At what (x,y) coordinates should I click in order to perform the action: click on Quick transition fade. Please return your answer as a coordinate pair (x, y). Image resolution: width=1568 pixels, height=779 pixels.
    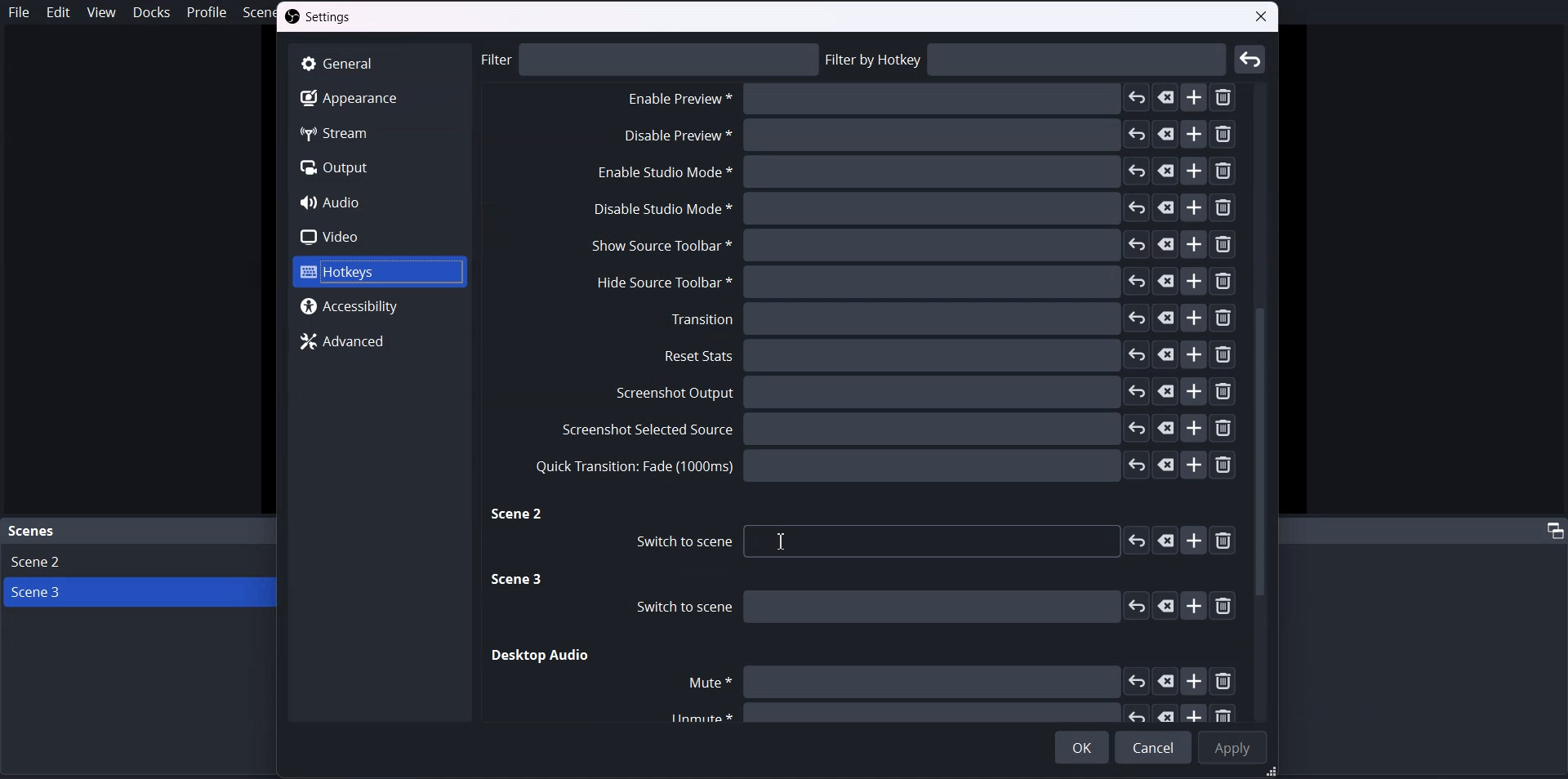
    Looking at the image, I should click on (883, 465).